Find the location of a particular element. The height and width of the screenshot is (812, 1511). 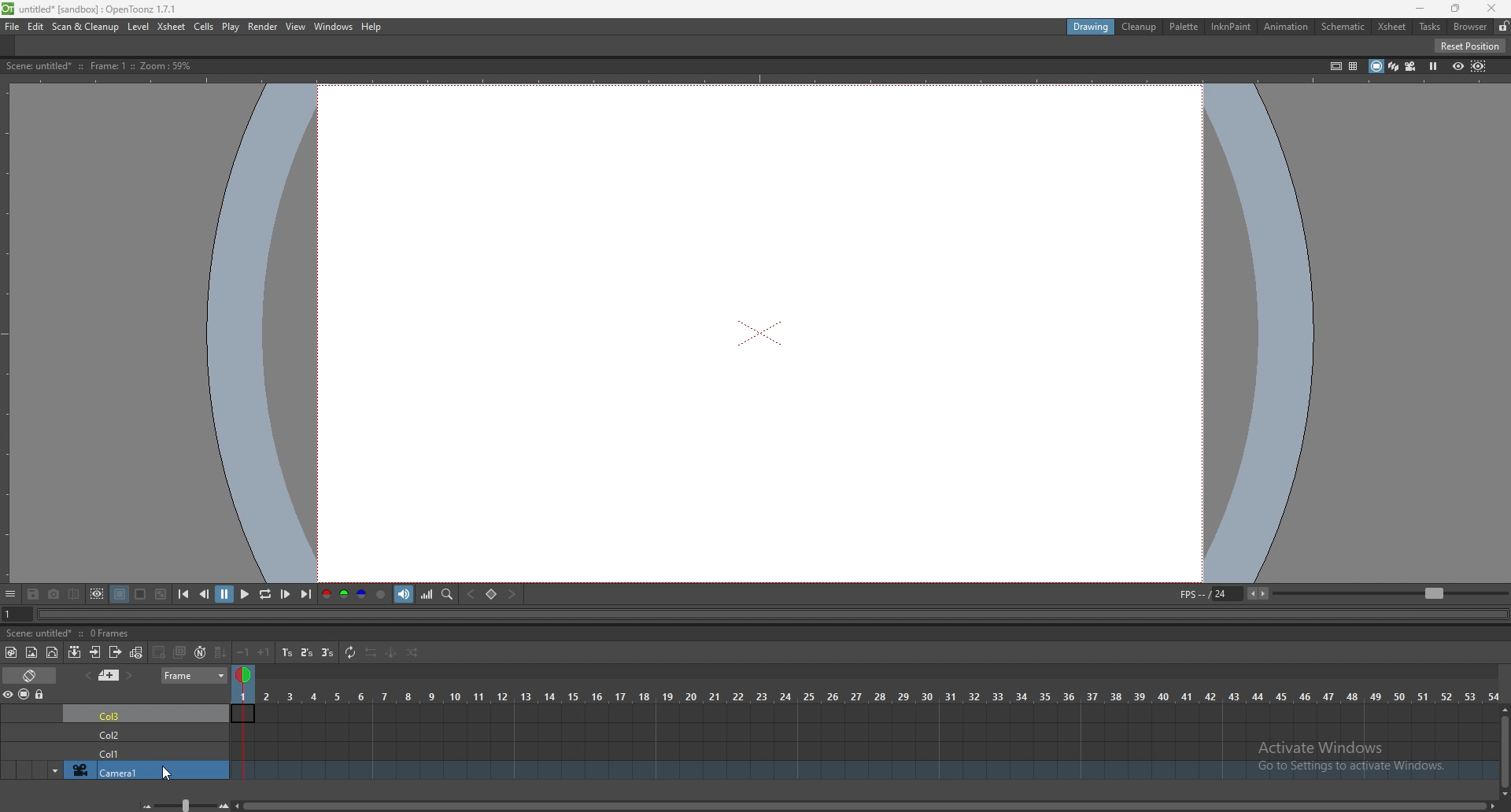

description is located at coordinates (71, 633).